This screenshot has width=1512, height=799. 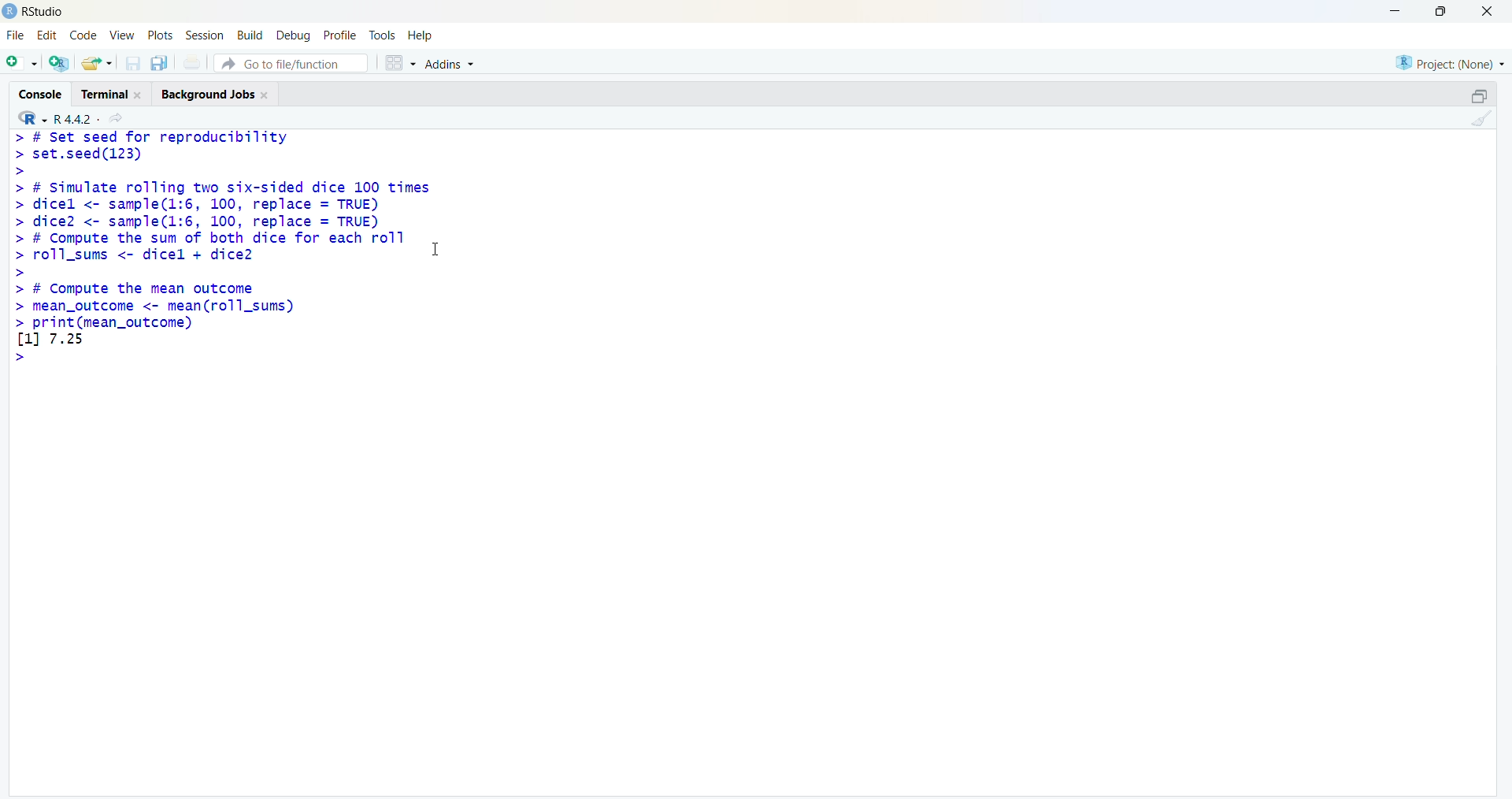 I want to click on close, so click(x=1488, y=10).